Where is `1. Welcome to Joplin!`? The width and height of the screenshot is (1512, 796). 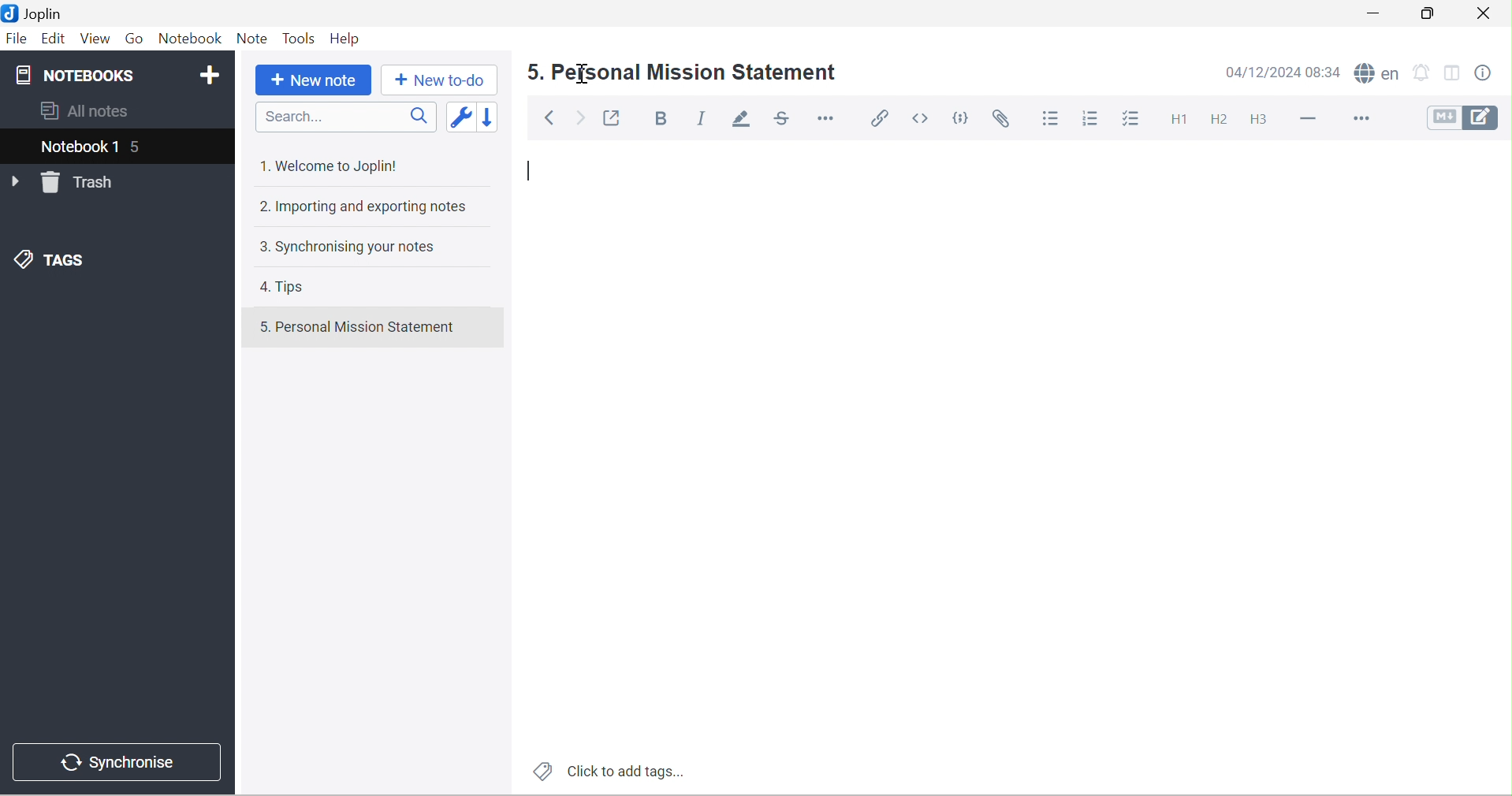
1. Welcome to Joplin! is located at coordinates (335, 165).